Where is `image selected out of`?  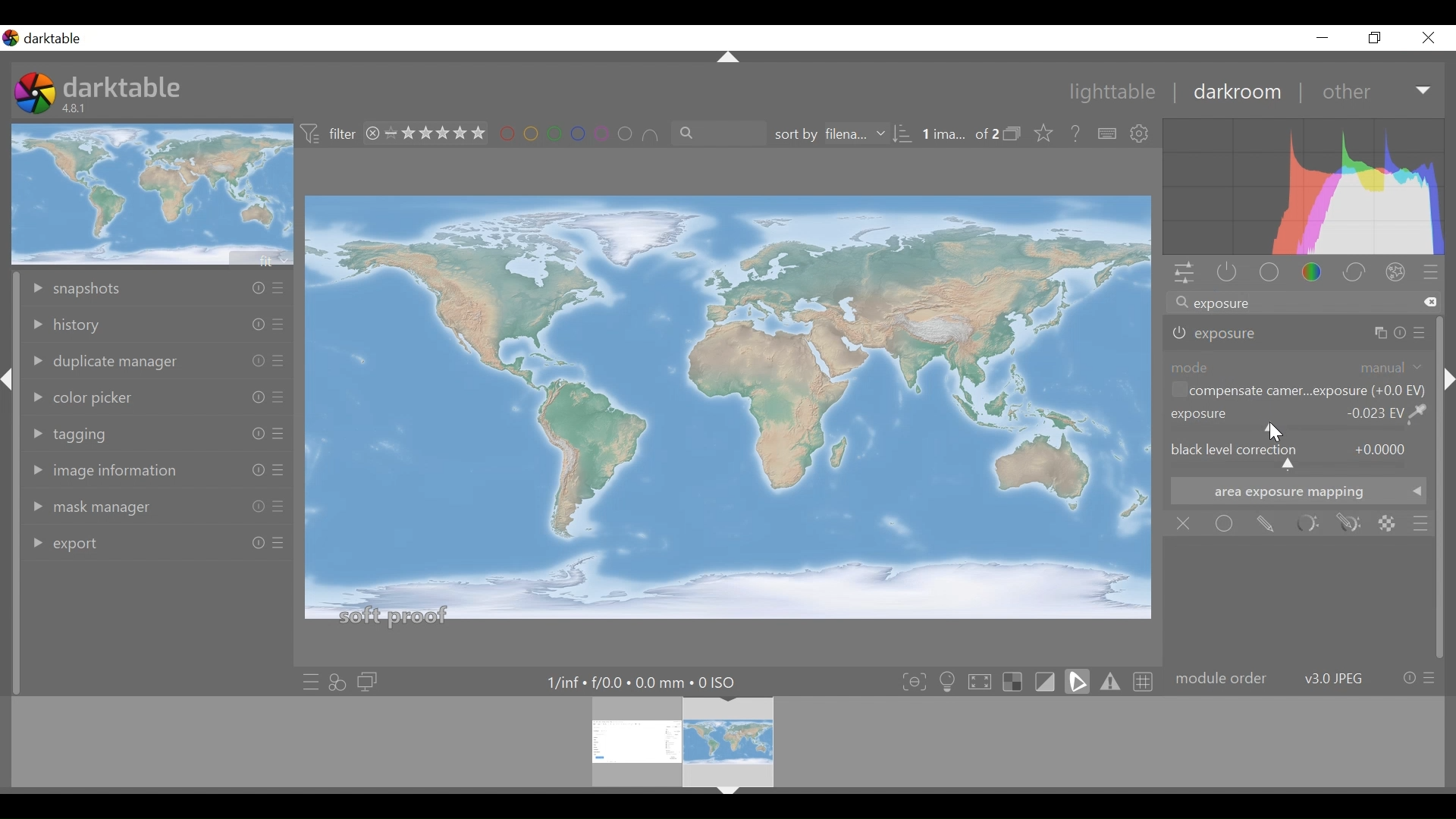 image selected out of is located at coordinates (959, 135).